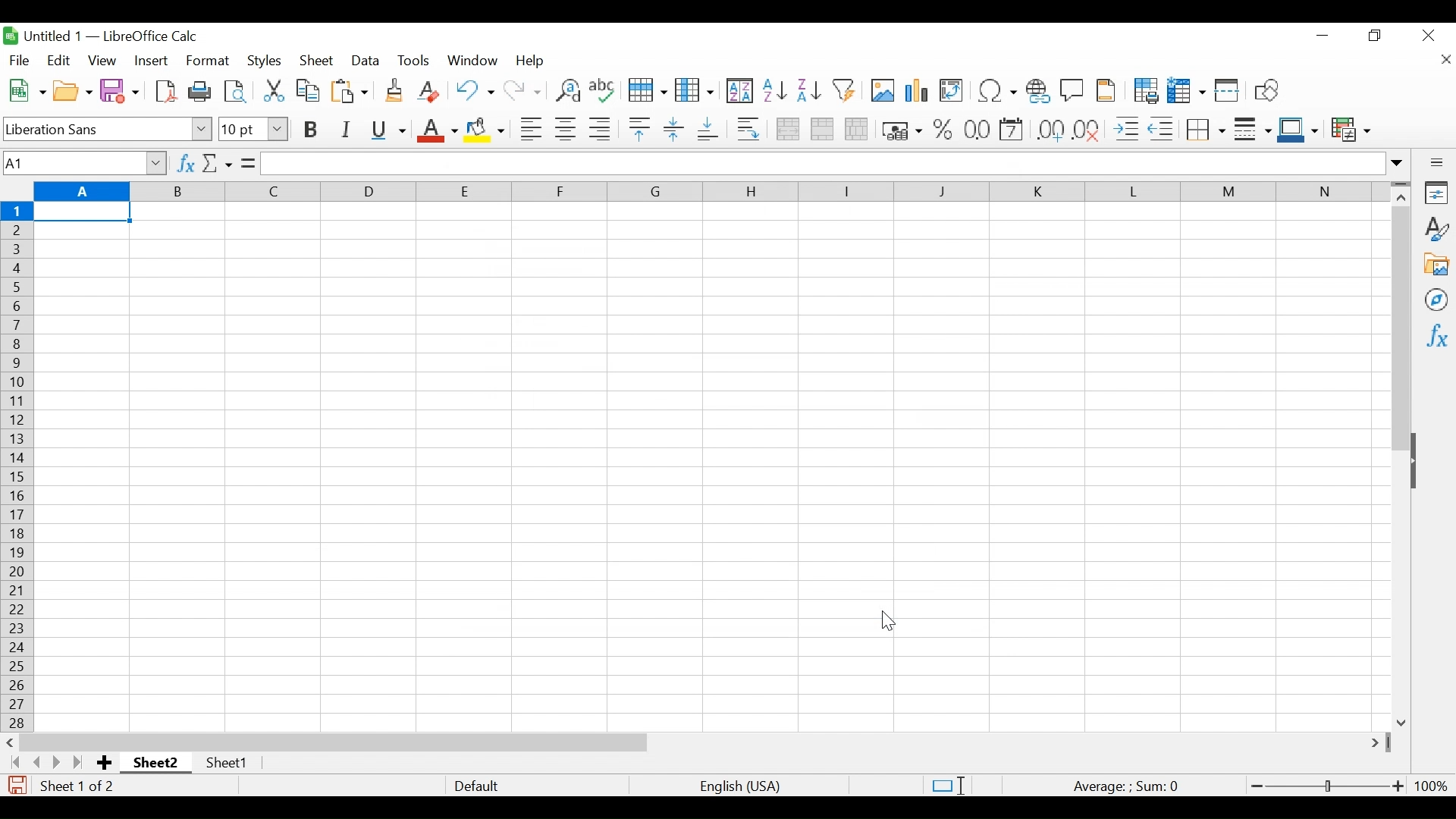  I want to click on Align Center, so click(566, 129).